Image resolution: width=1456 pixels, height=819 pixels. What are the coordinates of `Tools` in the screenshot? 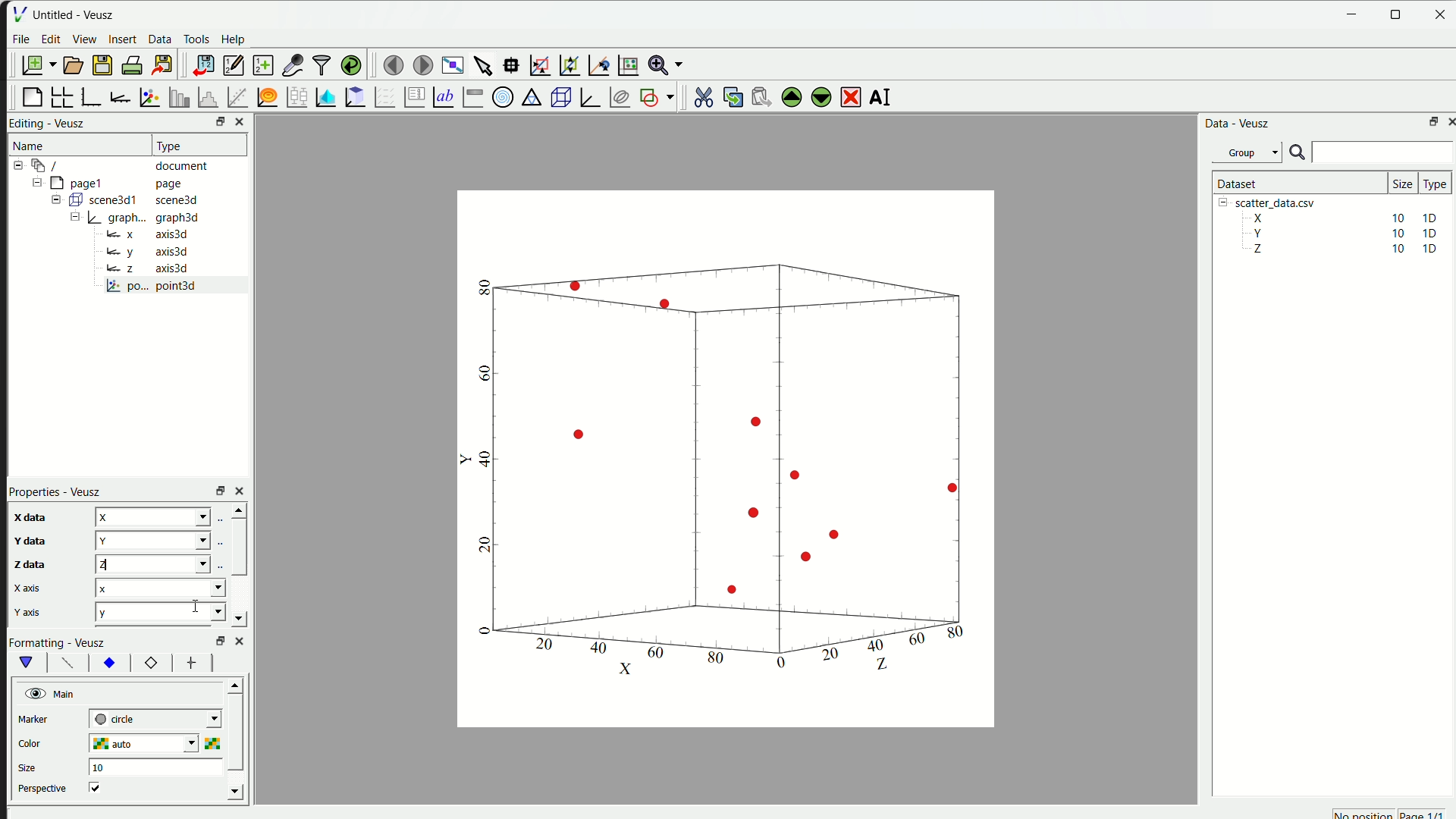 It's located at (196, 38).